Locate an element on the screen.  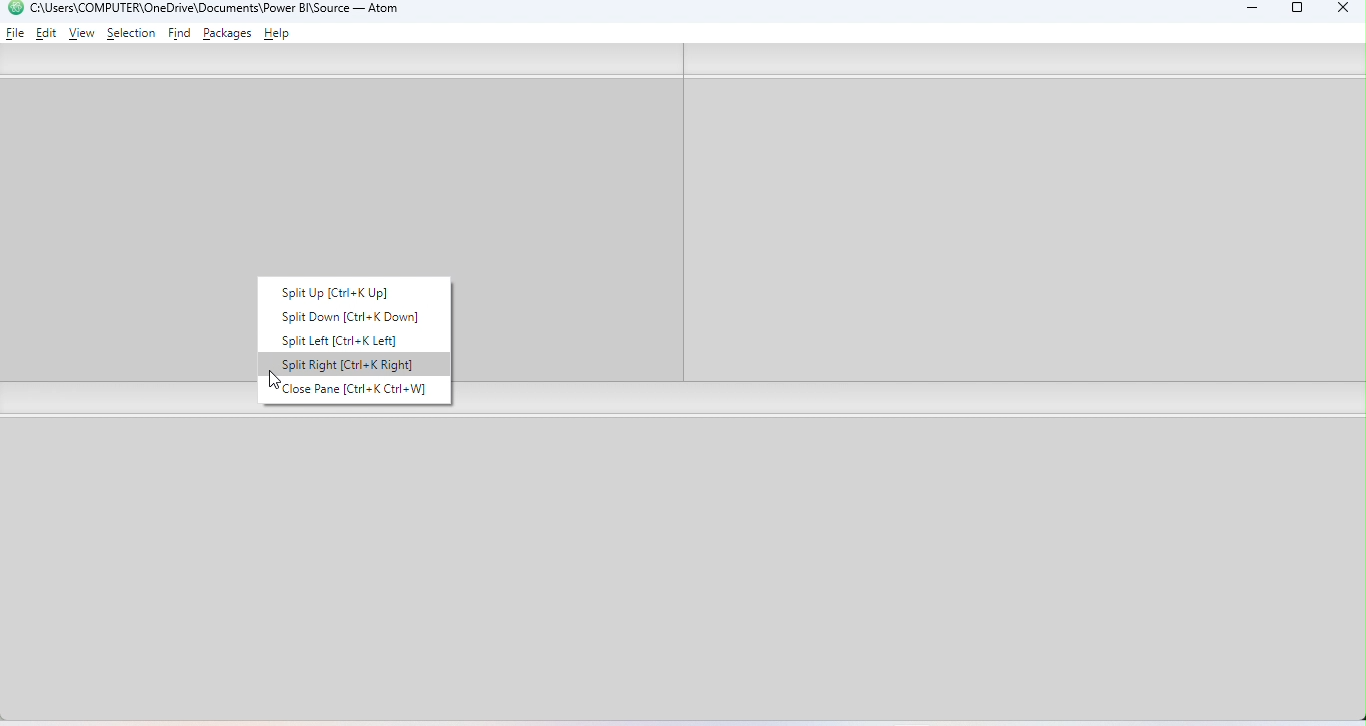
Split Down [Ctrl+K Down] is located at coordinates (348, 317).